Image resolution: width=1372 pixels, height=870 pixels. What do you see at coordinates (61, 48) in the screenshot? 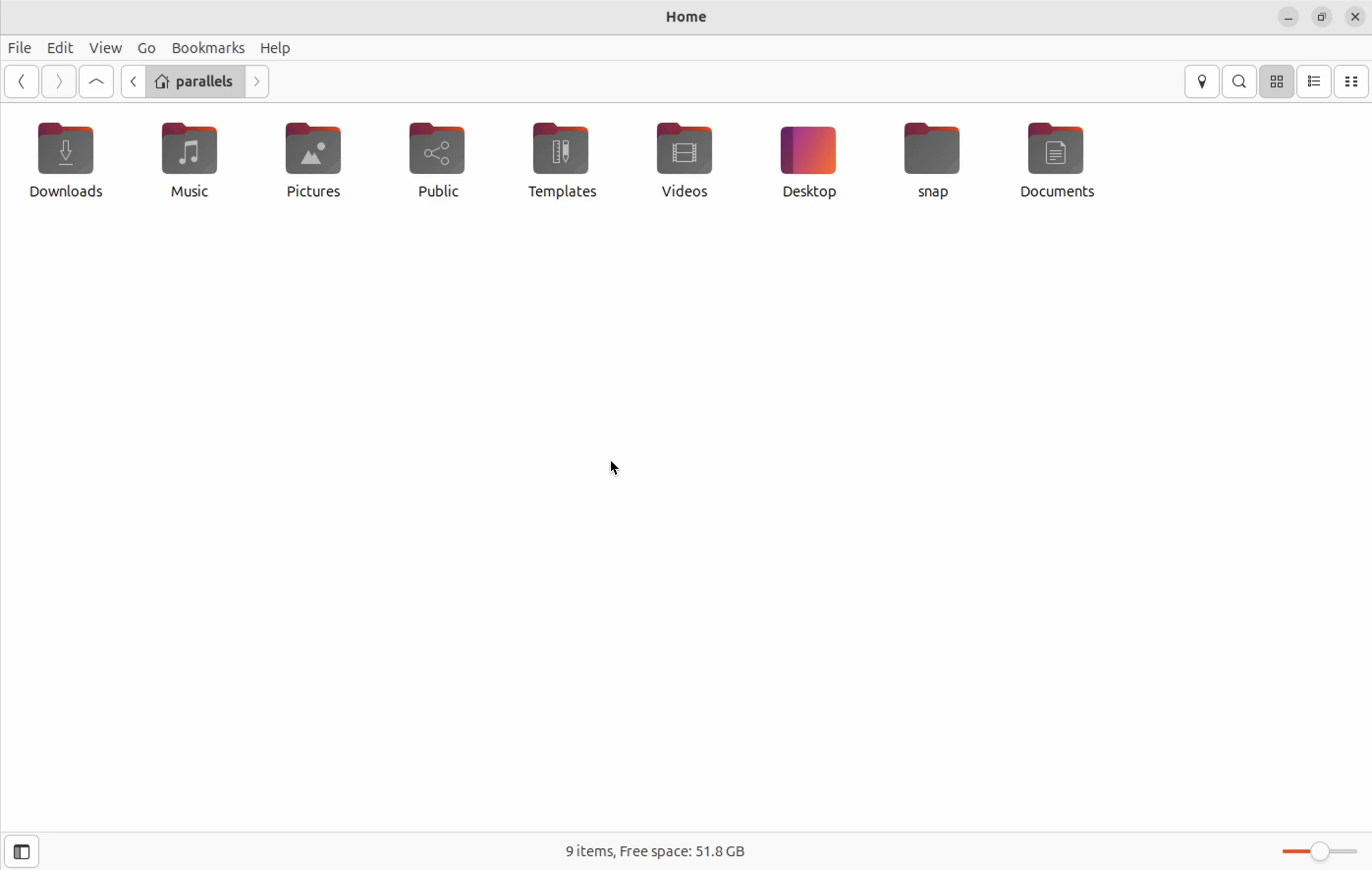
I see `edit` at bounding box center [61, 48].